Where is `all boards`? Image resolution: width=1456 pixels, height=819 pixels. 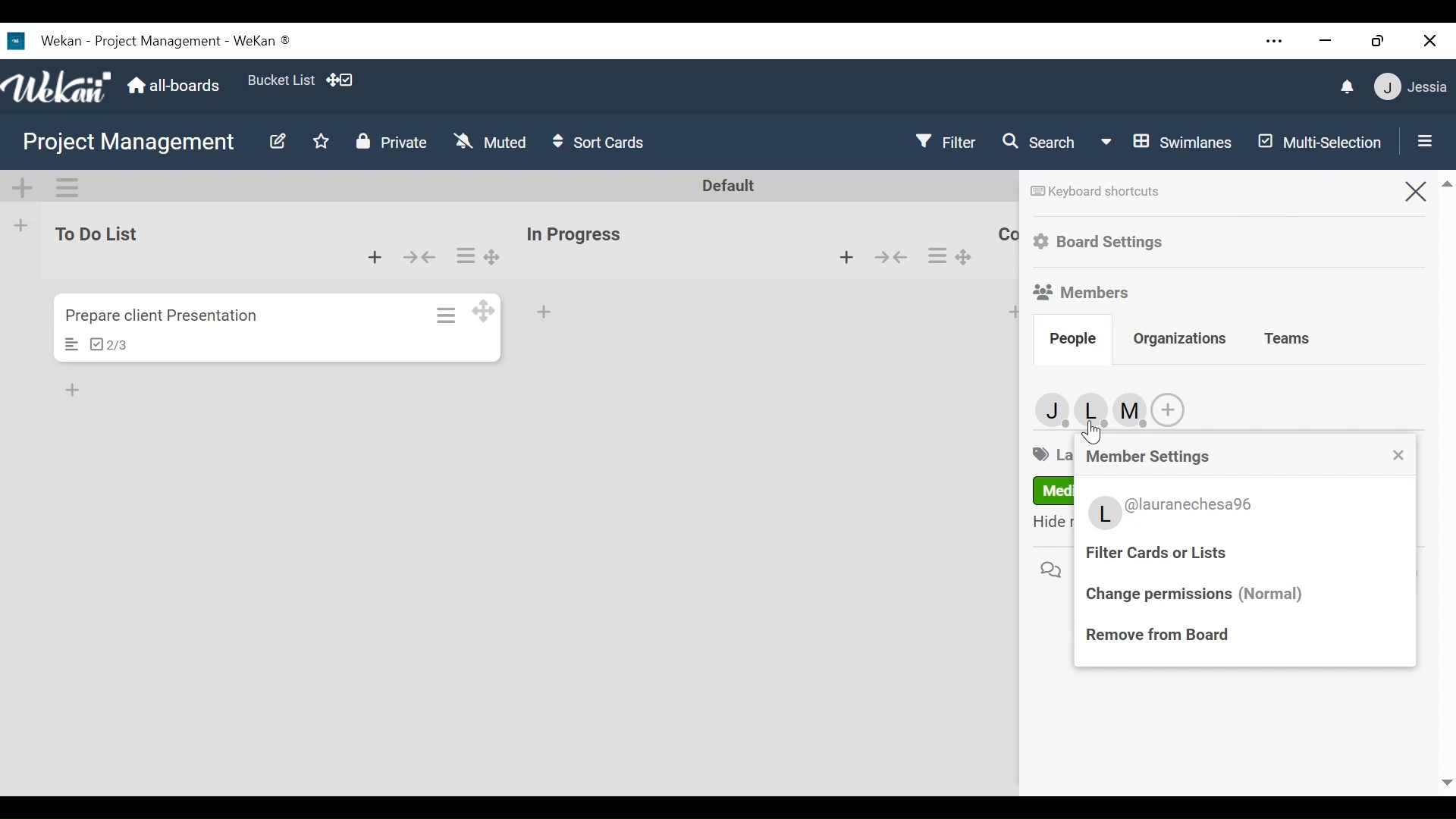
all boards is located at coordinates (174, 86).